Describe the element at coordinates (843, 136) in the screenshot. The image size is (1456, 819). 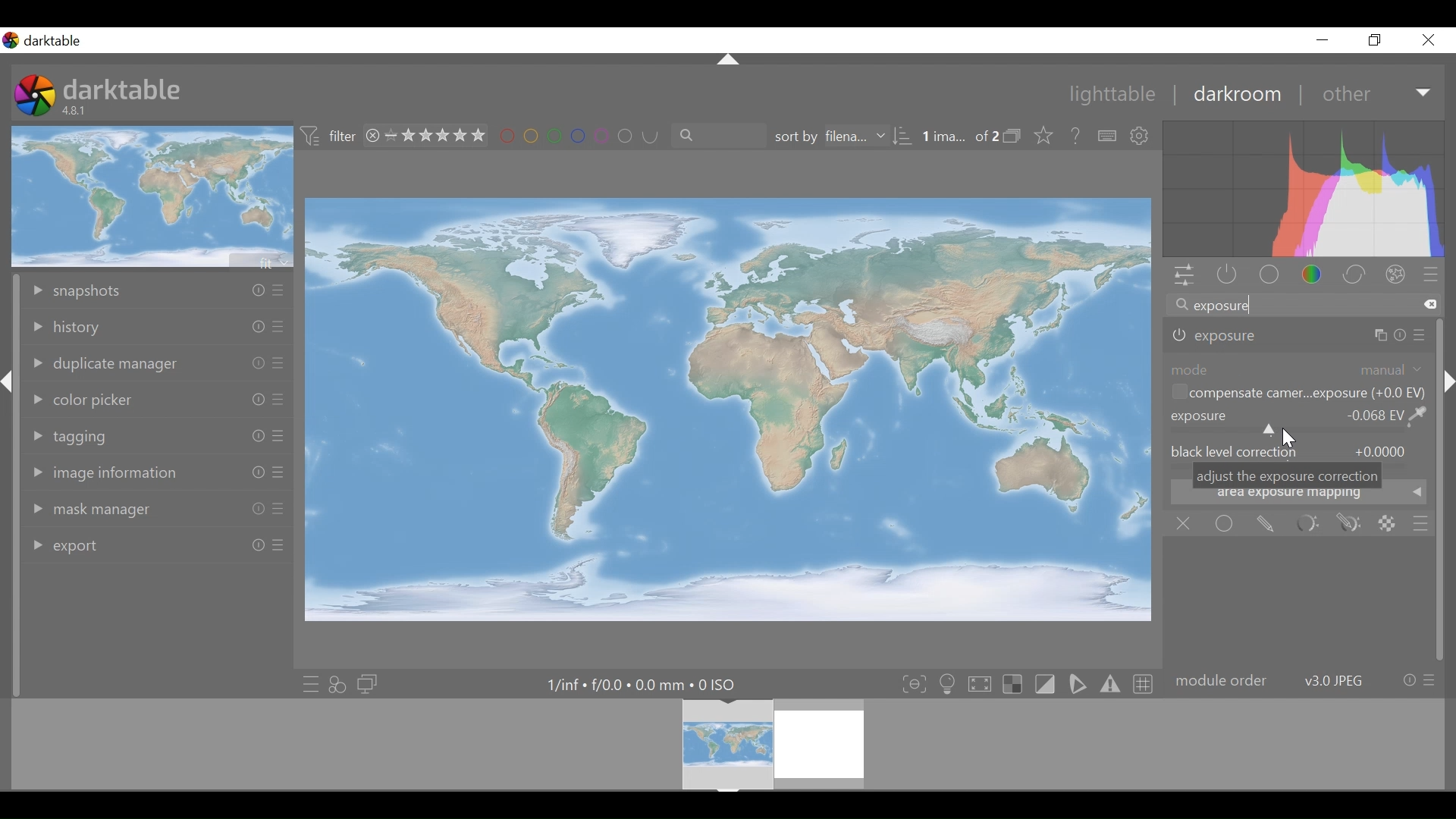
I see `sort by` at that location.